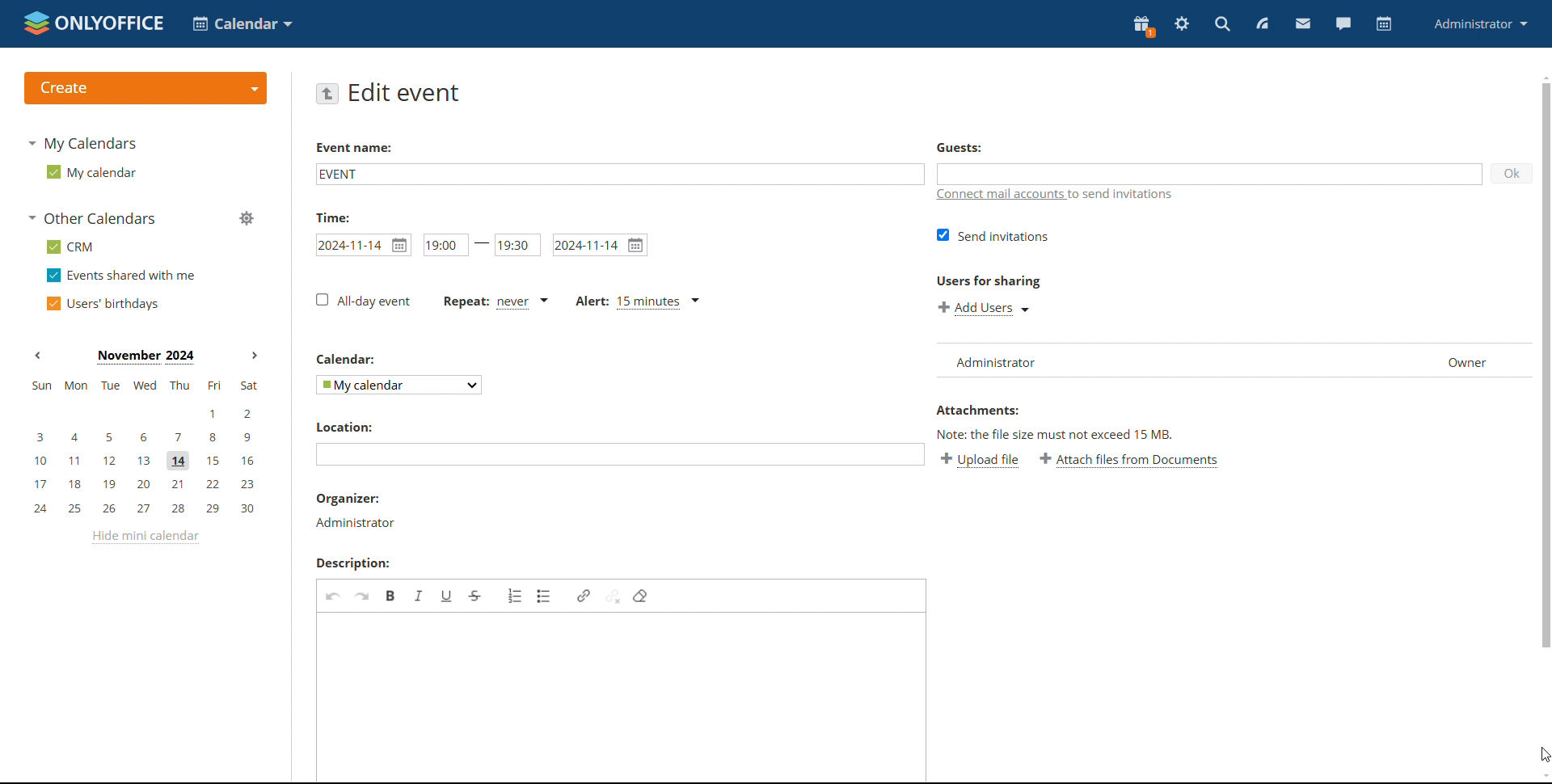  What do you see at coordinates (981, 411) in the screenshot?
I see `attachment:` at bounding box center [981, 411].